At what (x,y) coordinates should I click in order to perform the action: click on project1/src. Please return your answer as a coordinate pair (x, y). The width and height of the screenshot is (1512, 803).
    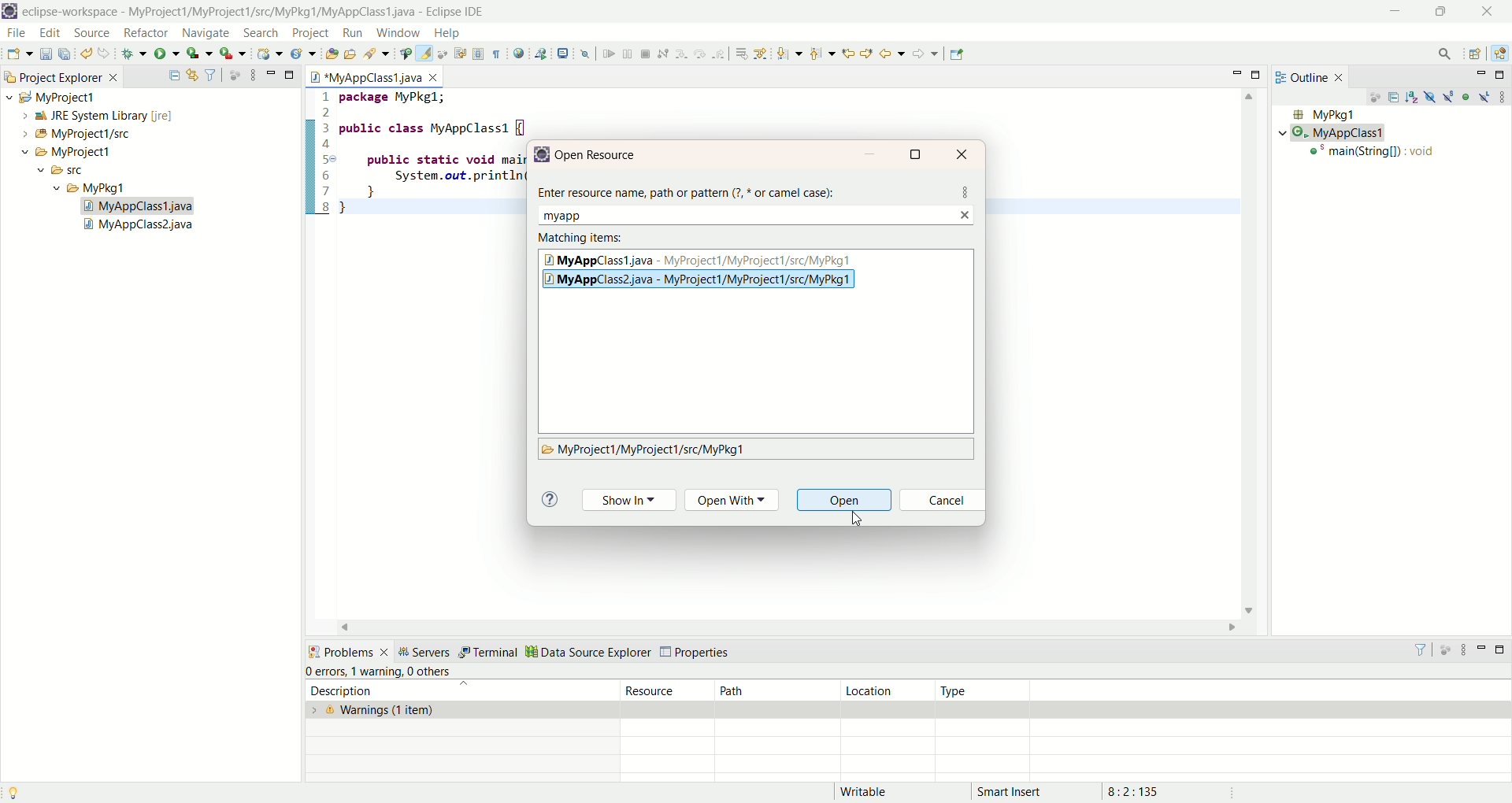
    Looking at the image, I should click on (69, 134).